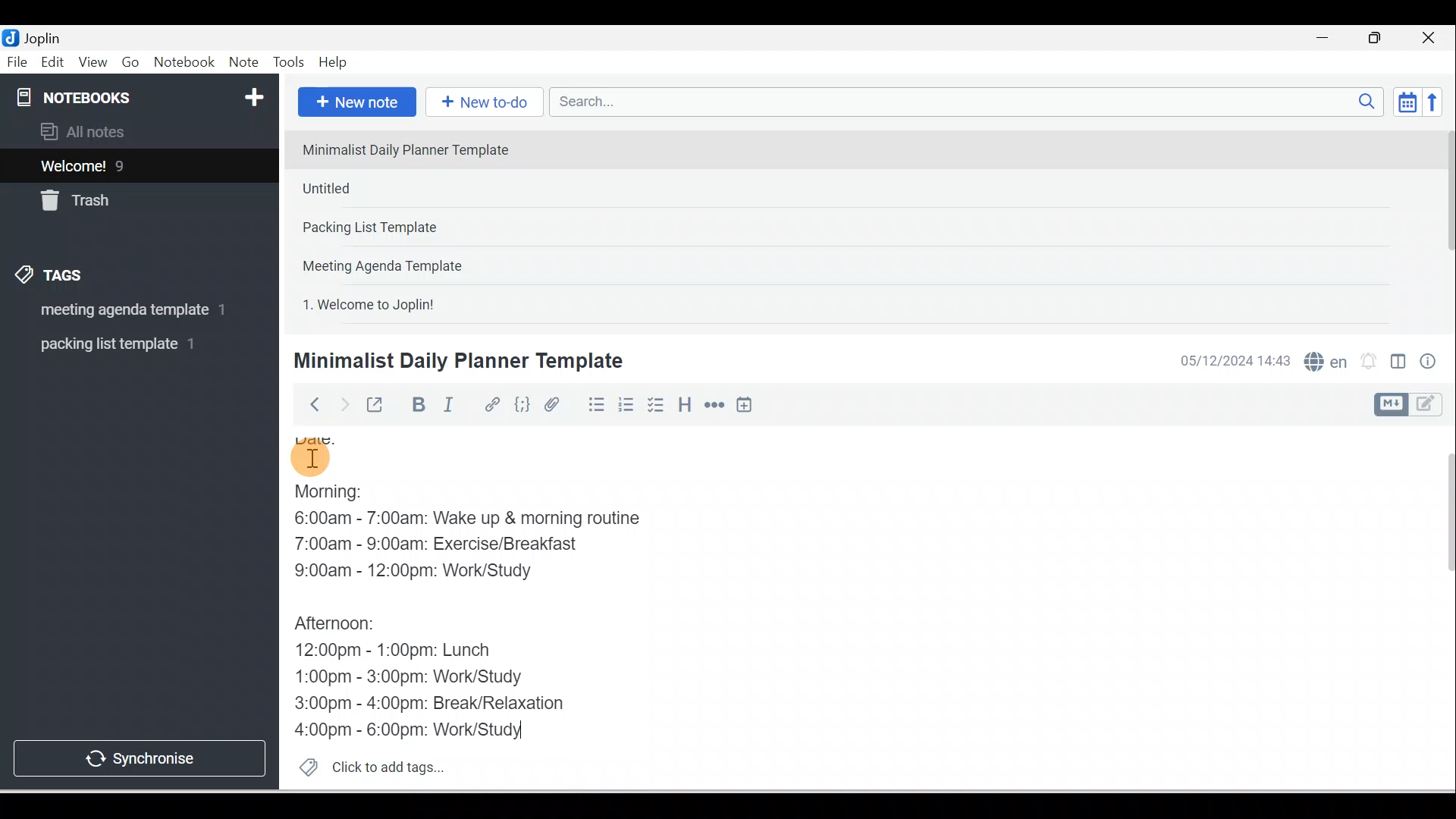 The image size is (1456, 819). I want to click on View, so click(93, 63).